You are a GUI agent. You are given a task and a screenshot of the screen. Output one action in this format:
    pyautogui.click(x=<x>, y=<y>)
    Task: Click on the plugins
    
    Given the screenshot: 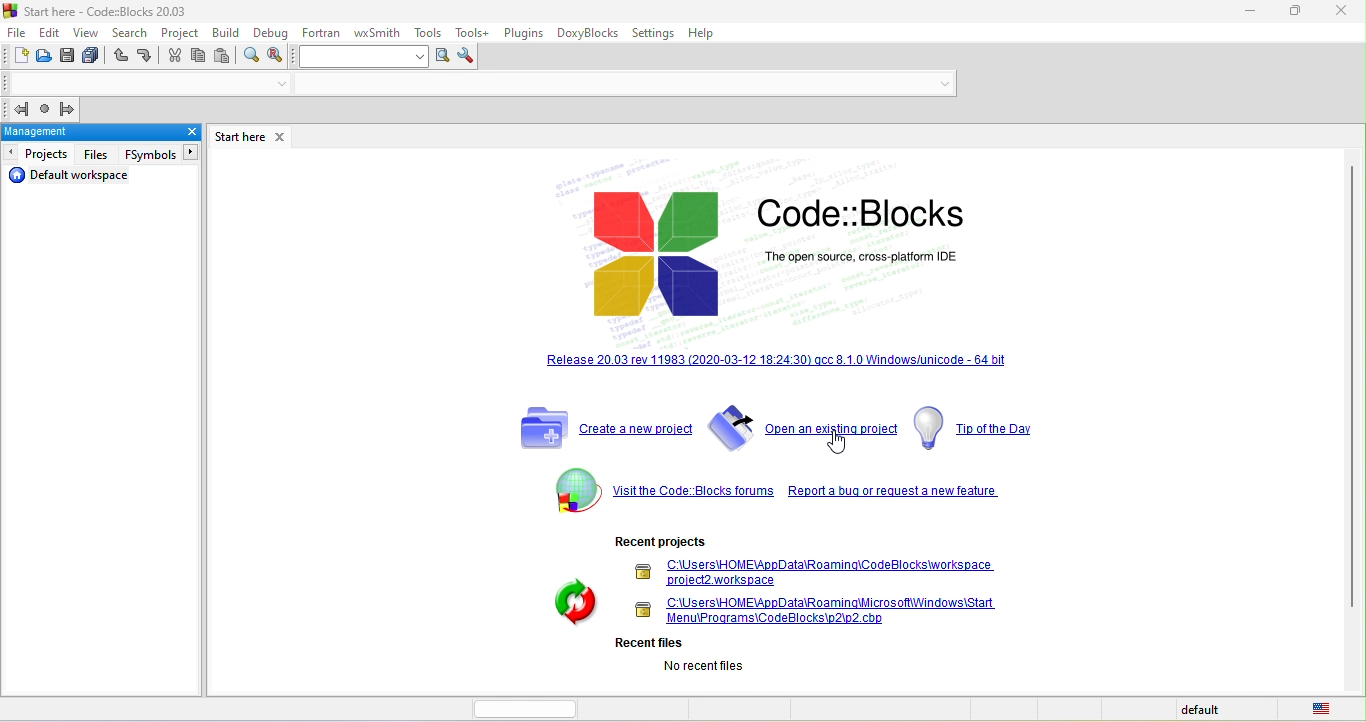 What is the action you would take?
    pyautogui.click(x=524, y=35)
    